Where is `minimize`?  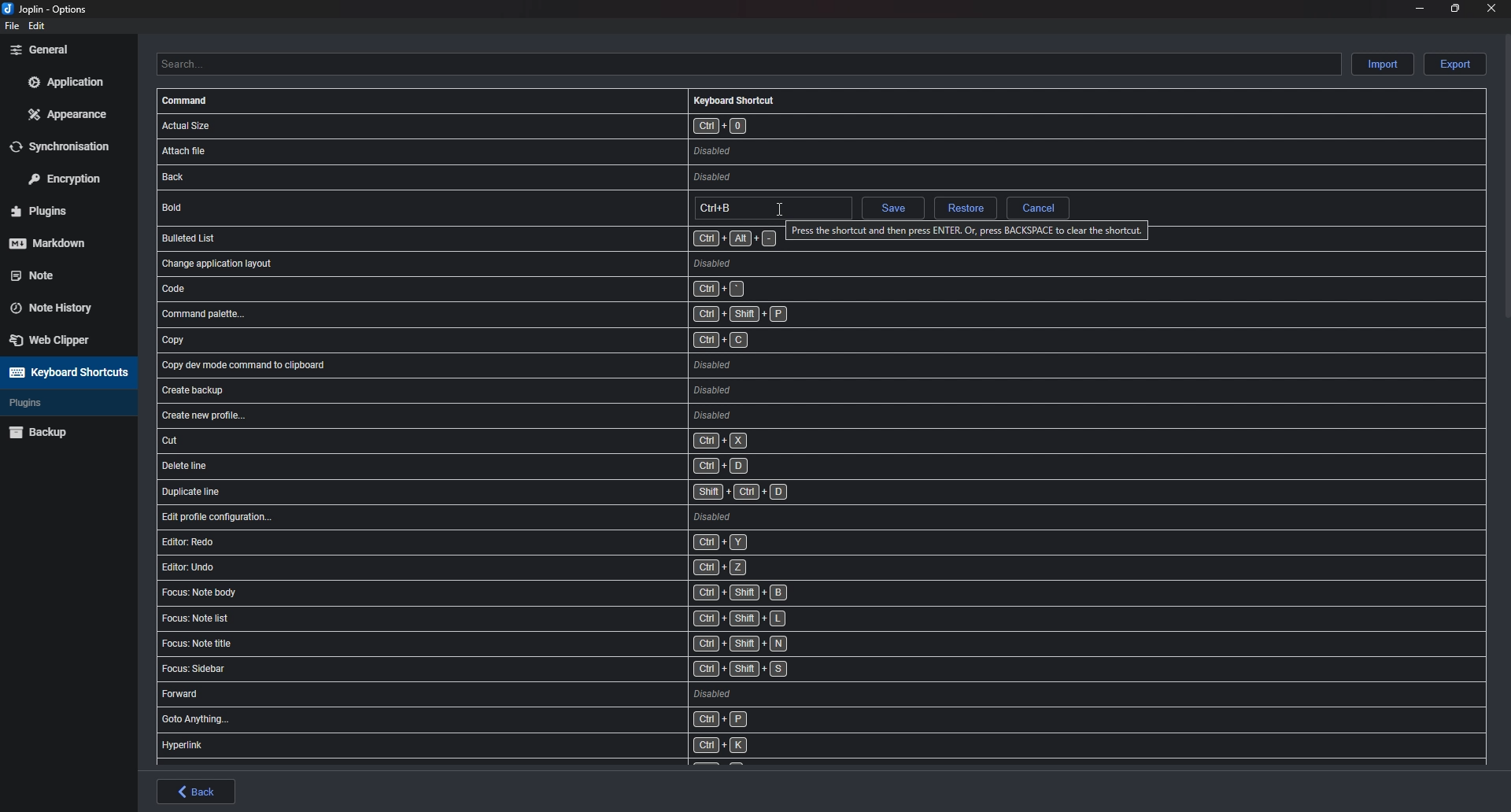 minimize is located at coordinates (1420, 7).